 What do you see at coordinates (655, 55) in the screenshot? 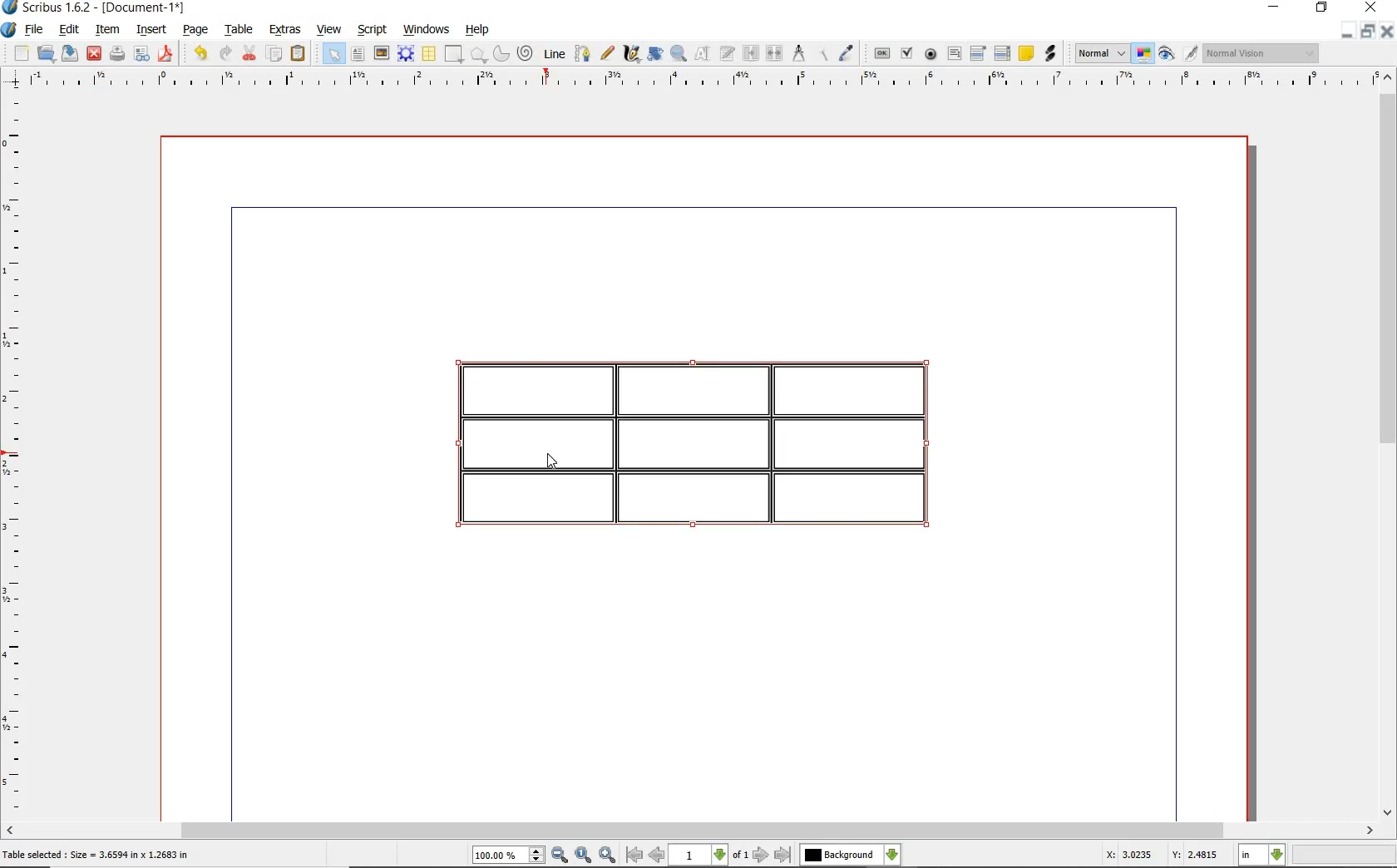
I see `rotate item` at bounding box center [655, 55].